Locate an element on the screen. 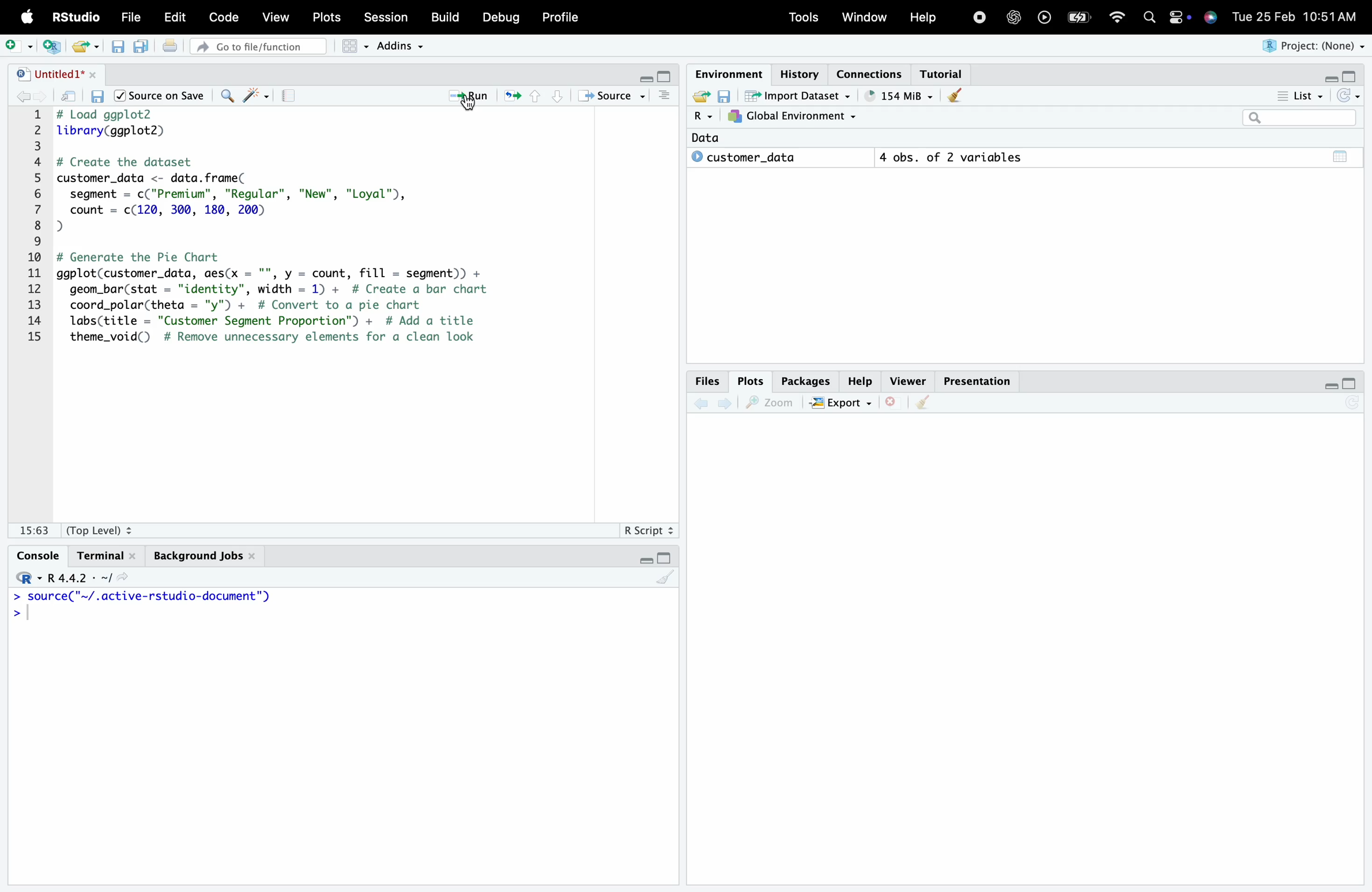  Plots is located at coordinates (747, 380).